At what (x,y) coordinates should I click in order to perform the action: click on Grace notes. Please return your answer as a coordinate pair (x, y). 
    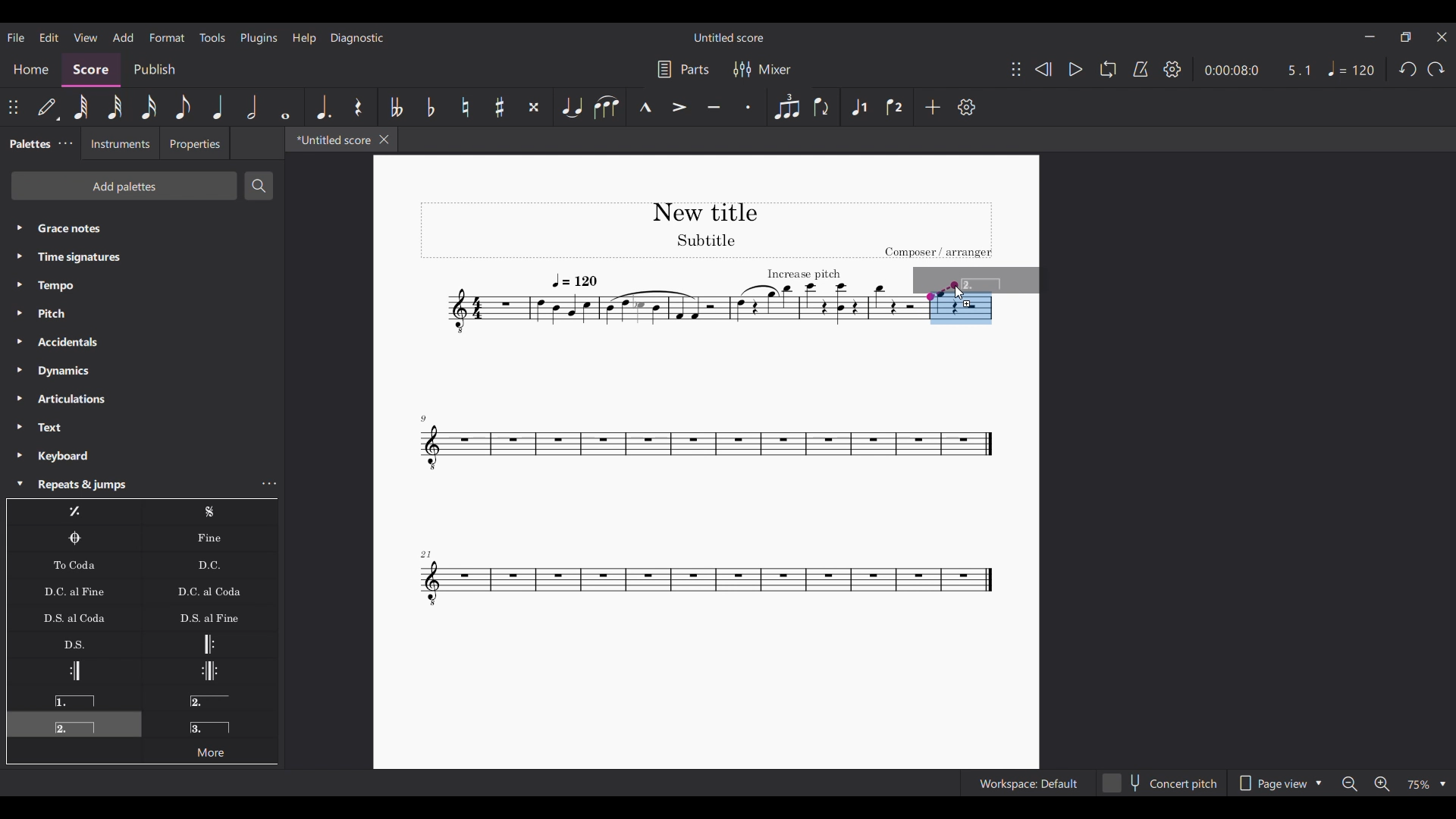
    Looking at the image, I should click on (142, 228).